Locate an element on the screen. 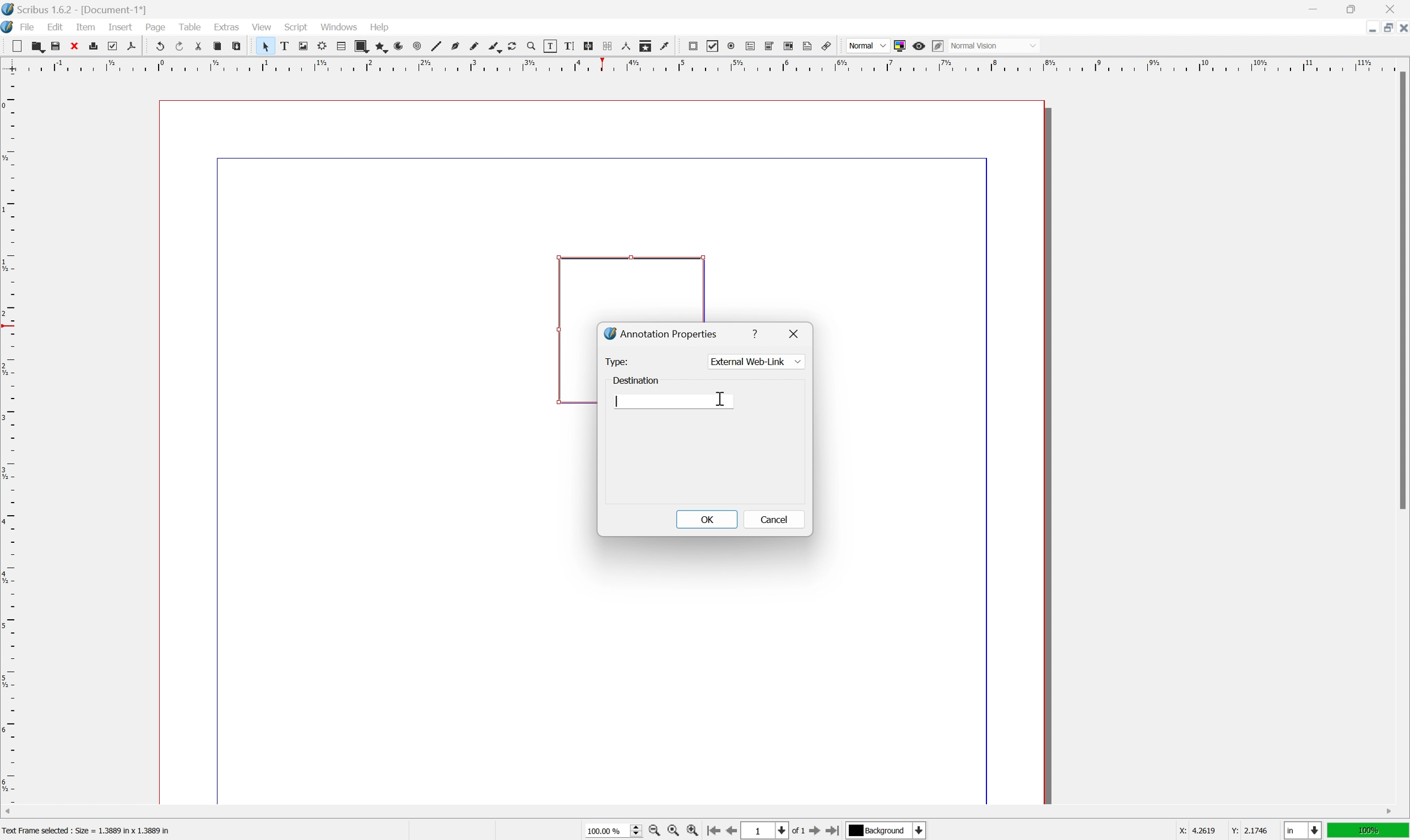  restore down is located at coordinates (1383, 28).